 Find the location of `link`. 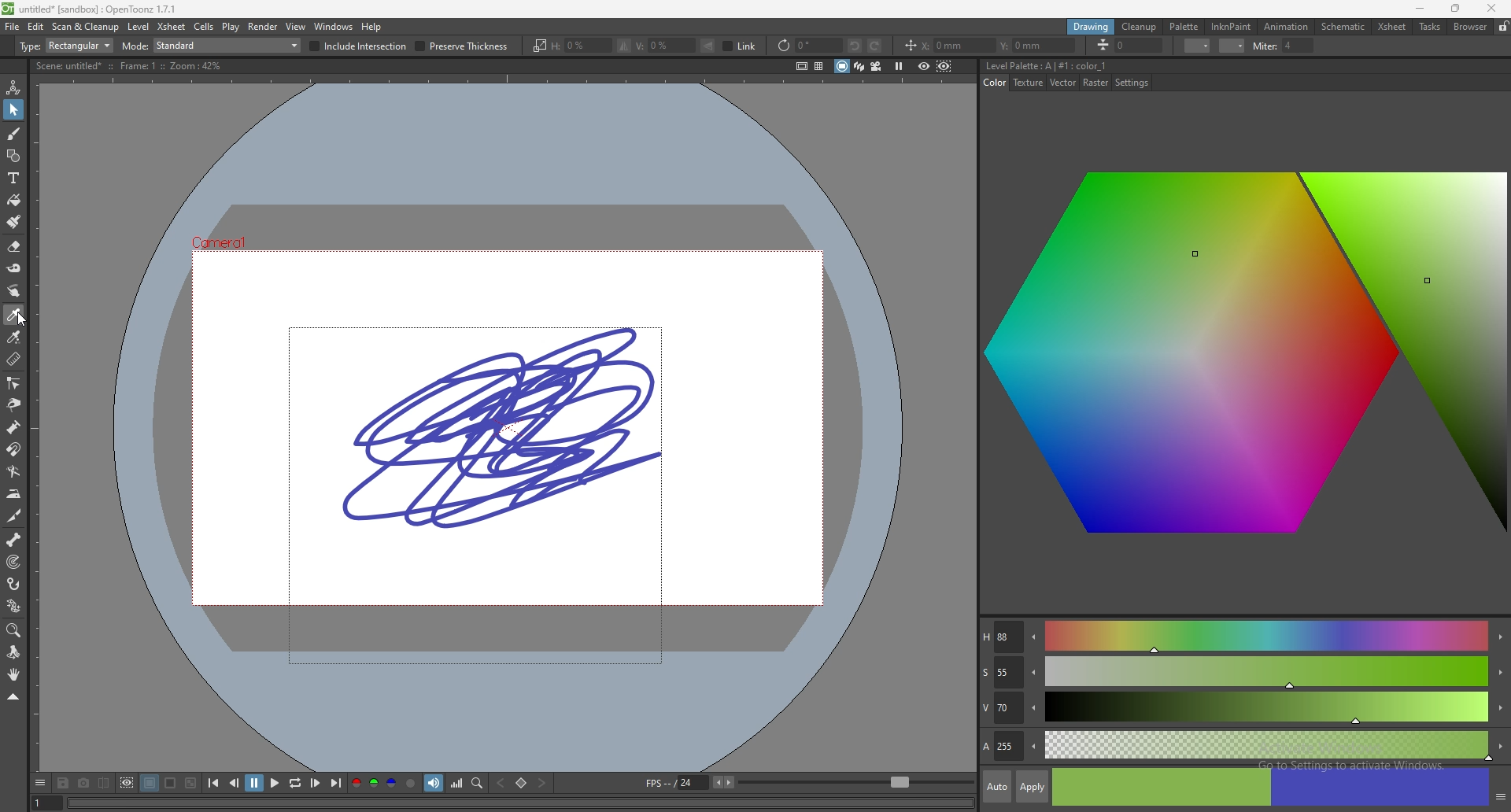

link is located at coordinates (740, 46).